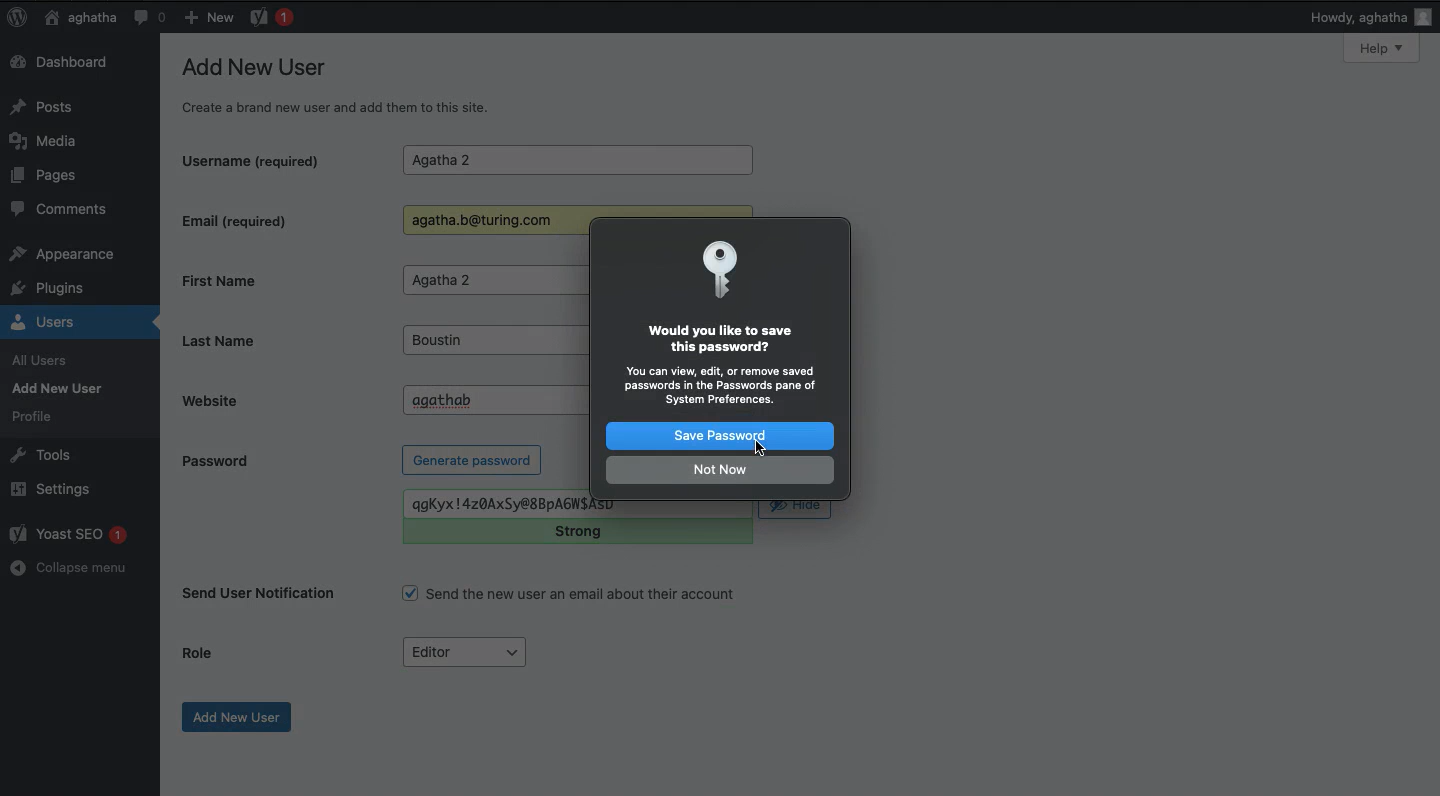  I want to click on Not now, so click(719, 469).